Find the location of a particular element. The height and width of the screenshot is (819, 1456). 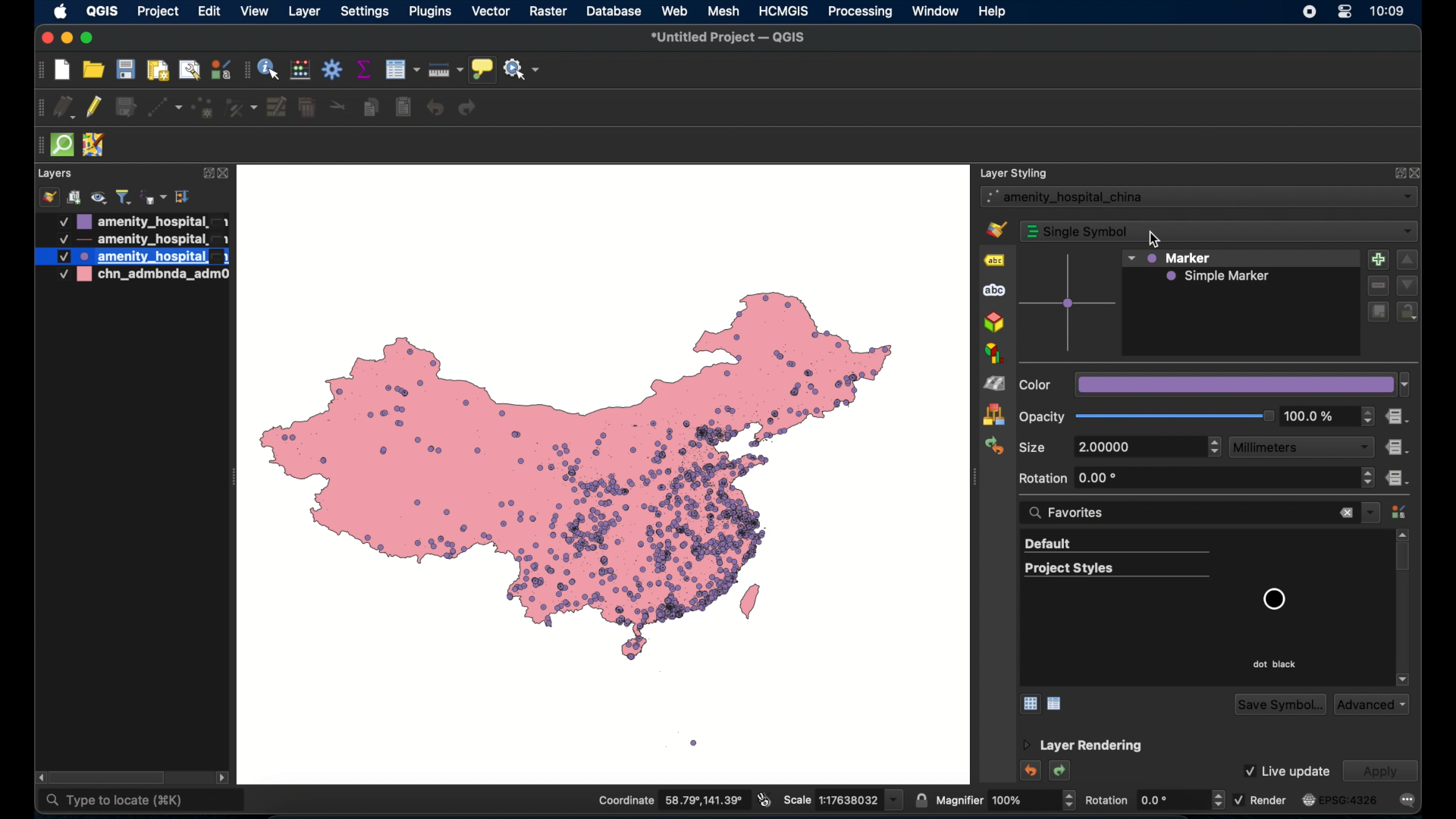

print layout is located at coordinates (159, 72).